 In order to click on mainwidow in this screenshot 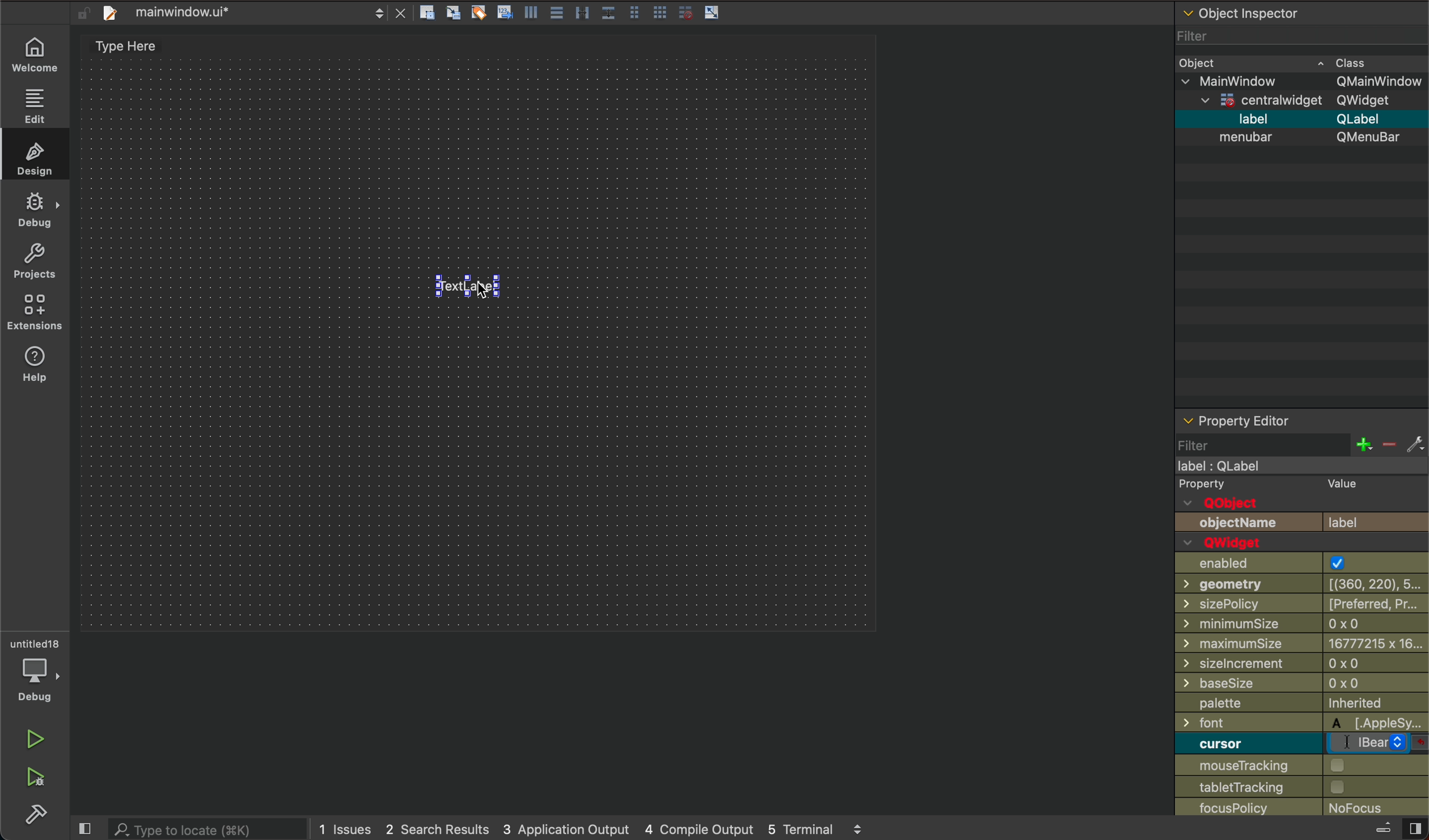, I will do `click(1236, 80)`.